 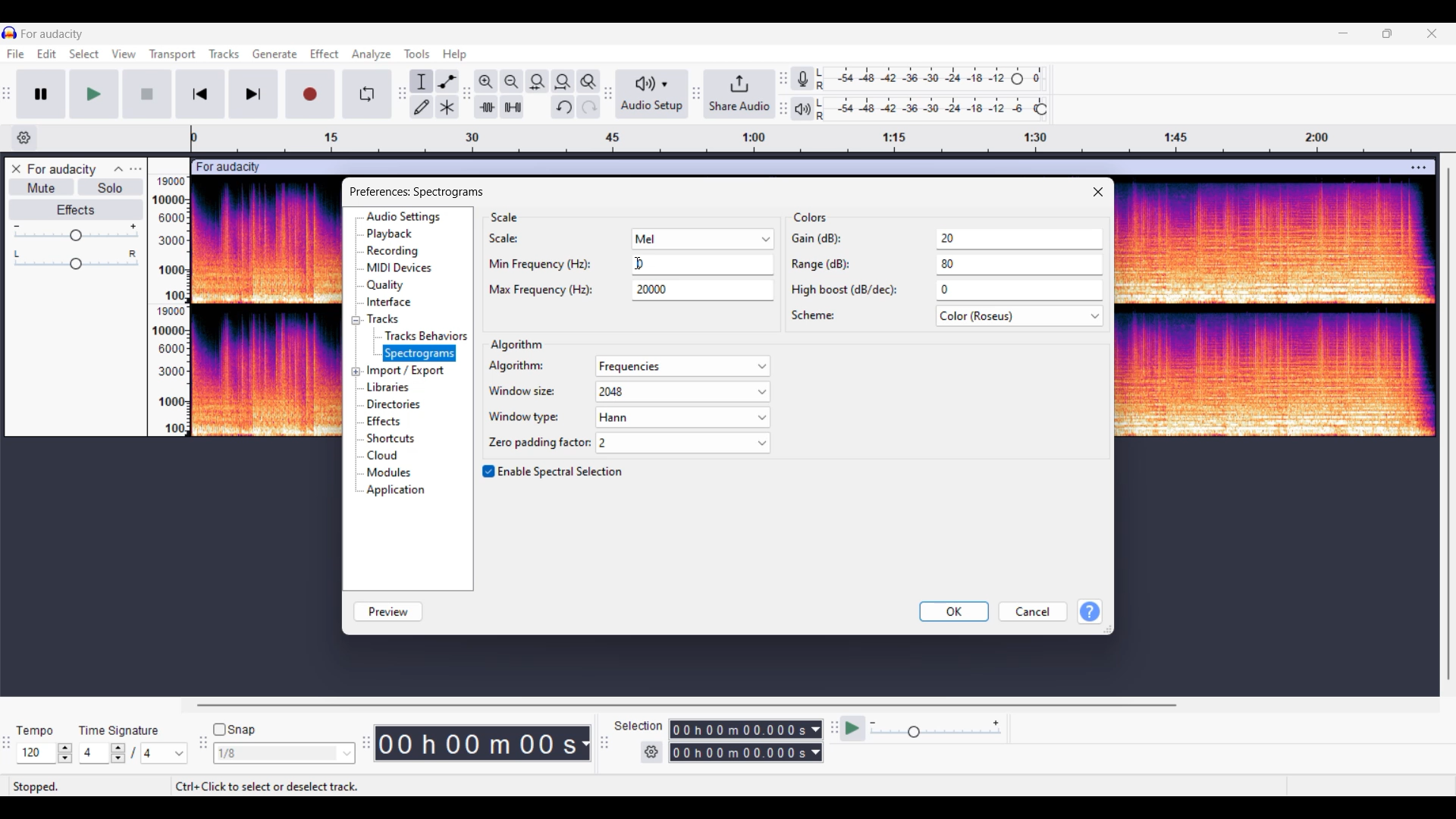 I want to click on Expand/Collapse specific setting, so click(x=356, y=347).